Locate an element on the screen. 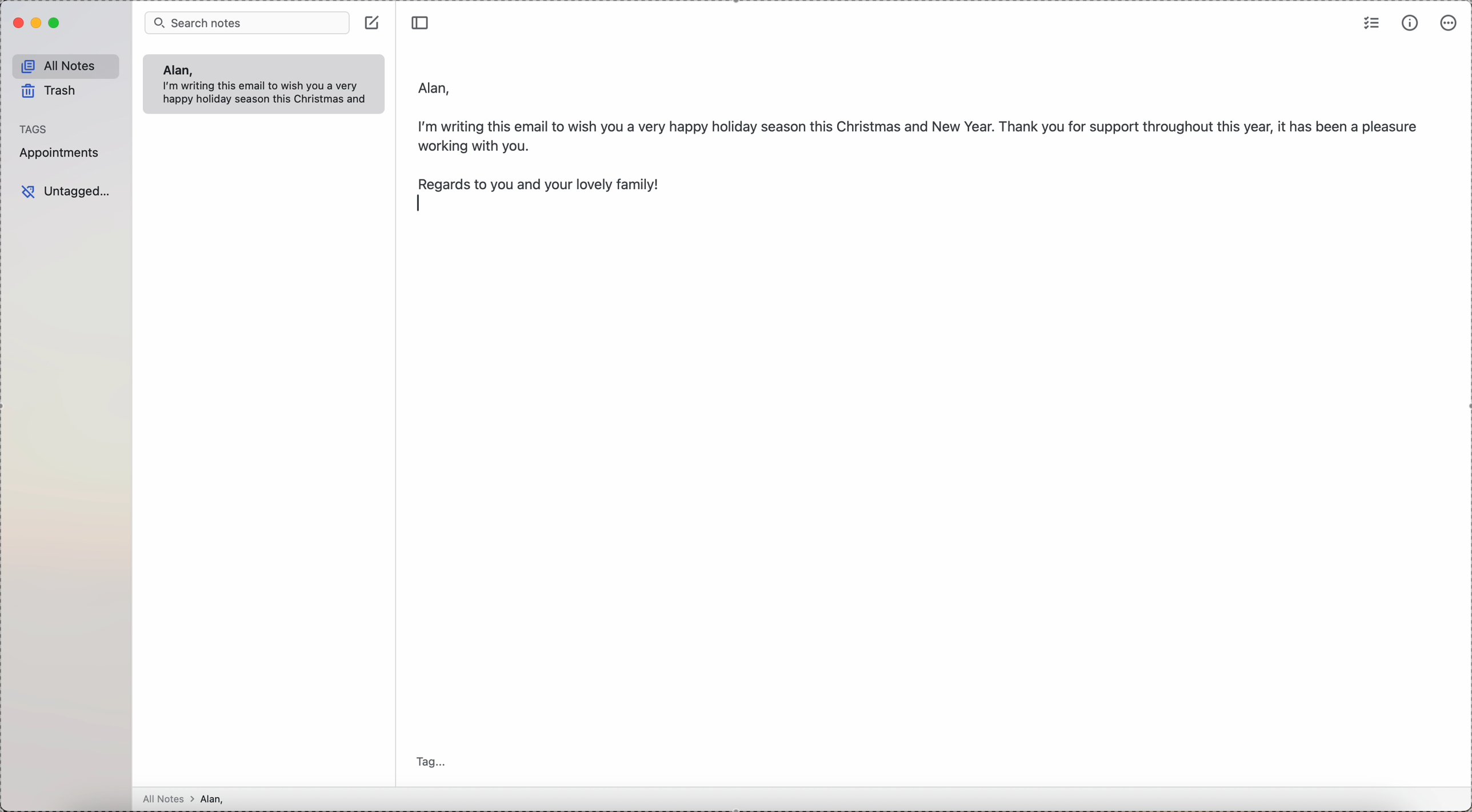  metrics is located at coordinates (1410, 23).